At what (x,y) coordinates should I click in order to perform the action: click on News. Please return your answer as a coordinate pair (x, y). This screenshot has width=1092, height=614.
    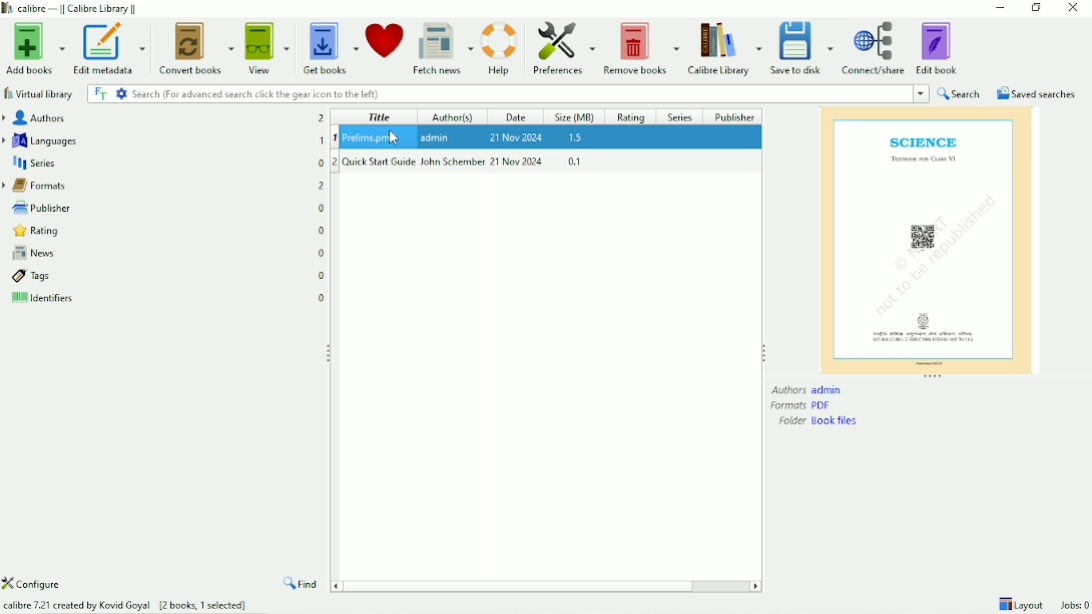
    Looking at the image, I should click on (30, 254).